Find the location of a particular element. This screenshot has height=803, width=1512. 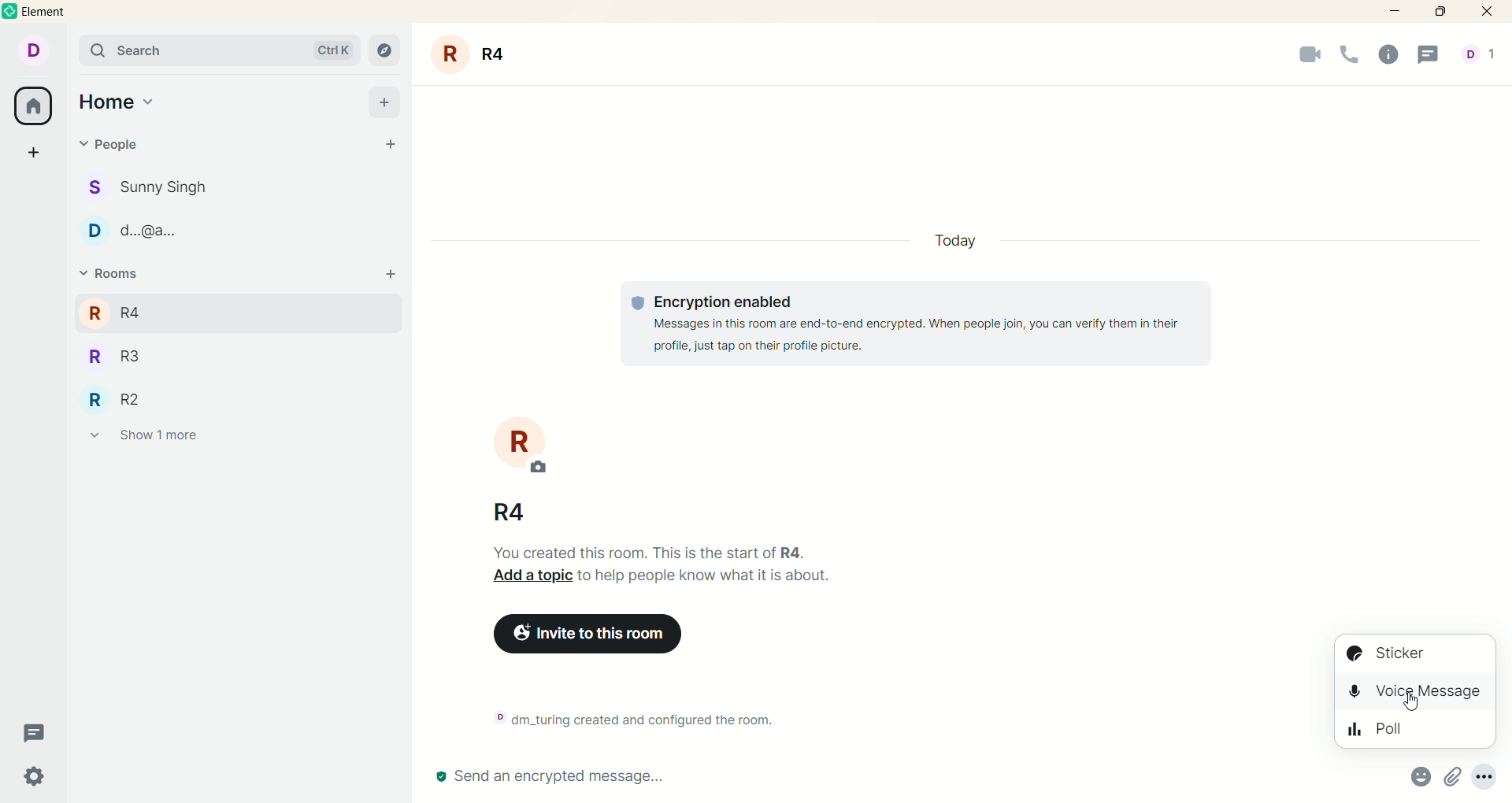

minimize is located at coordinates (1392, 13).